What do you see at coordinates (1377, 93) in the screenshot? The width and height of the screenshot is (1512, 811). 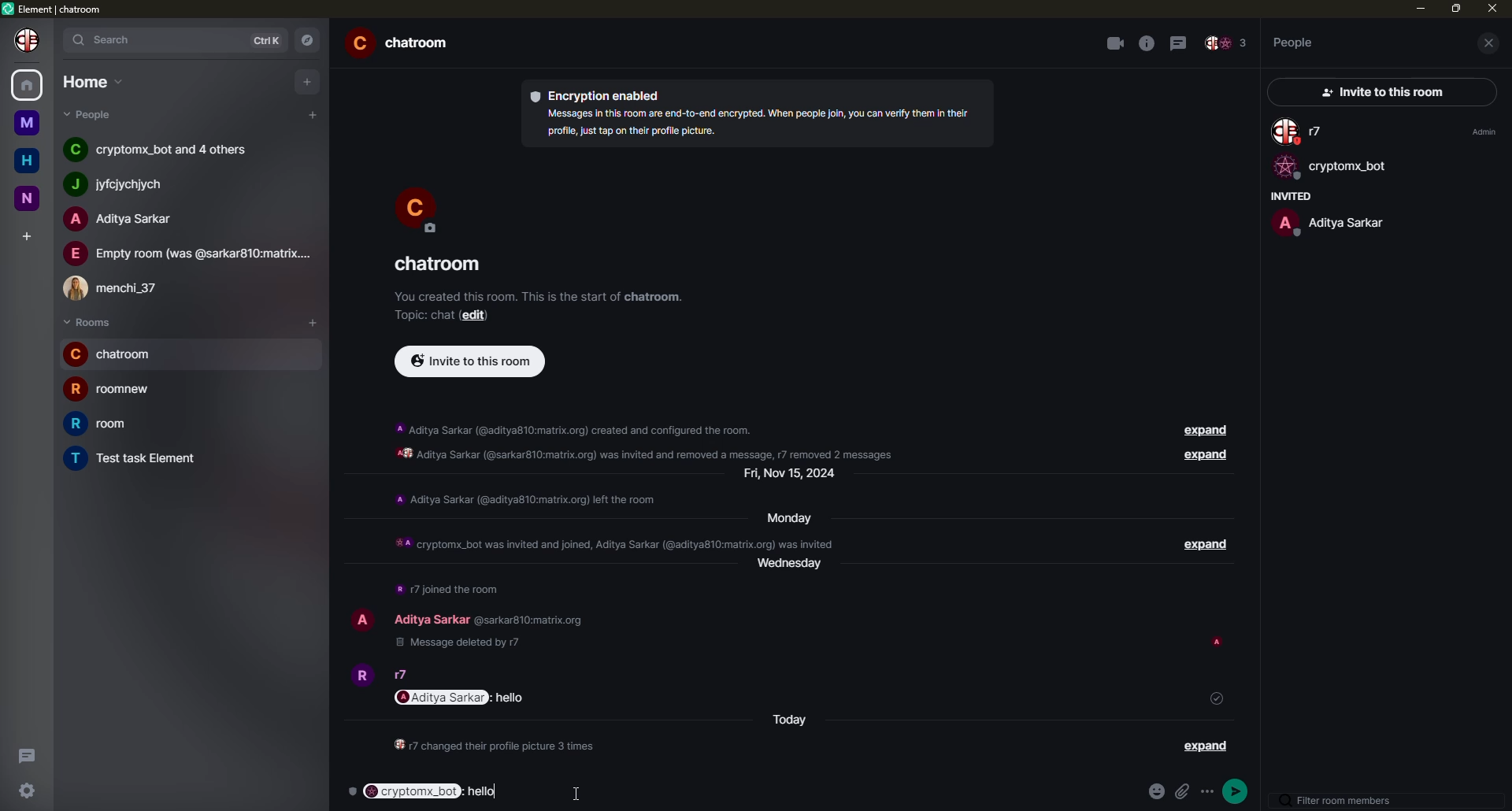 I see `invite` at bounding box center [1377, 93].